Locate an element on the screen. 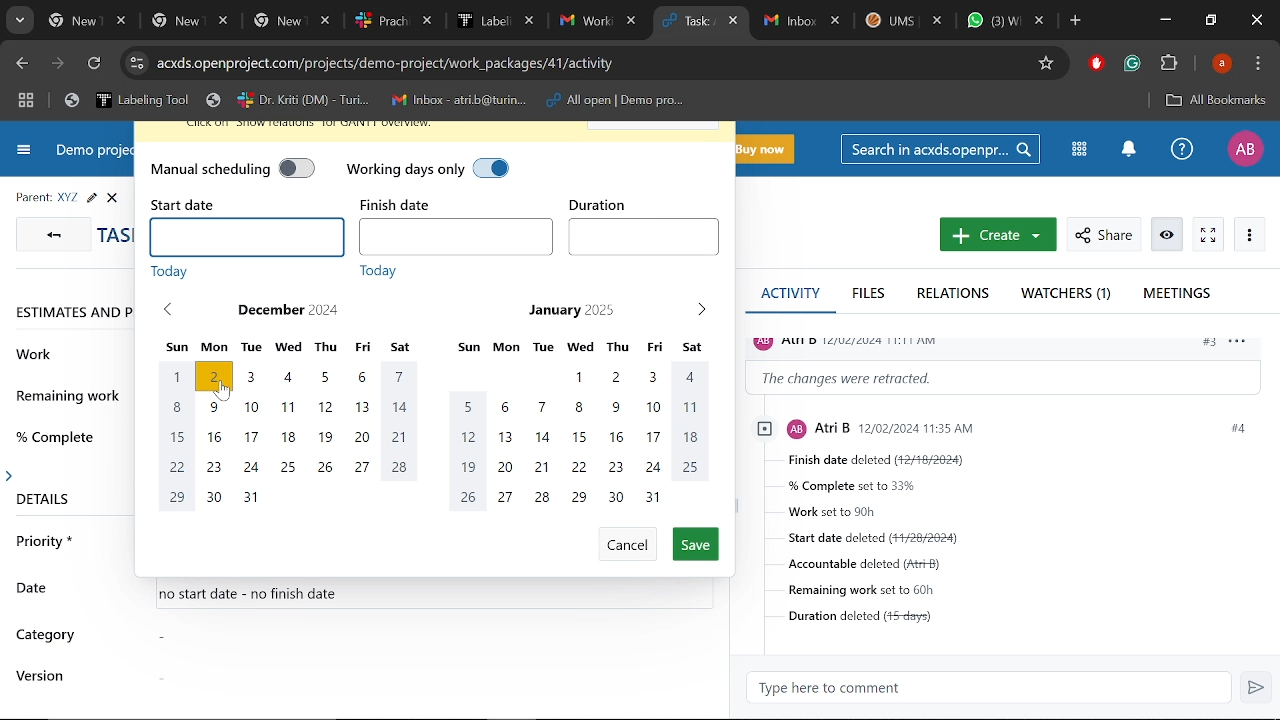  Activity is located at coordinates (789, 298).